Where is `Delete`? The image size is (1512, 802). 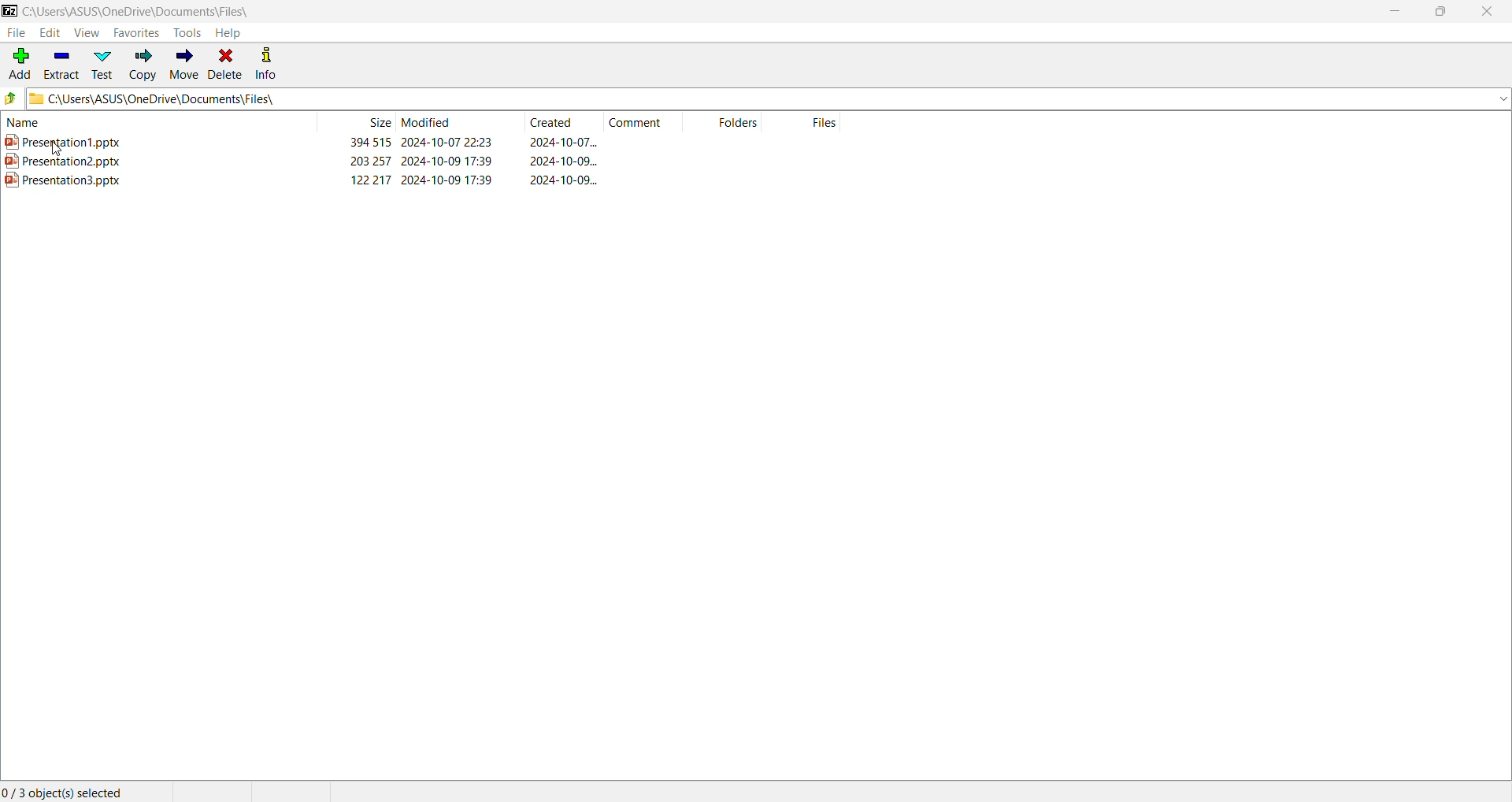
Delete is located at coordinates (226, 63).